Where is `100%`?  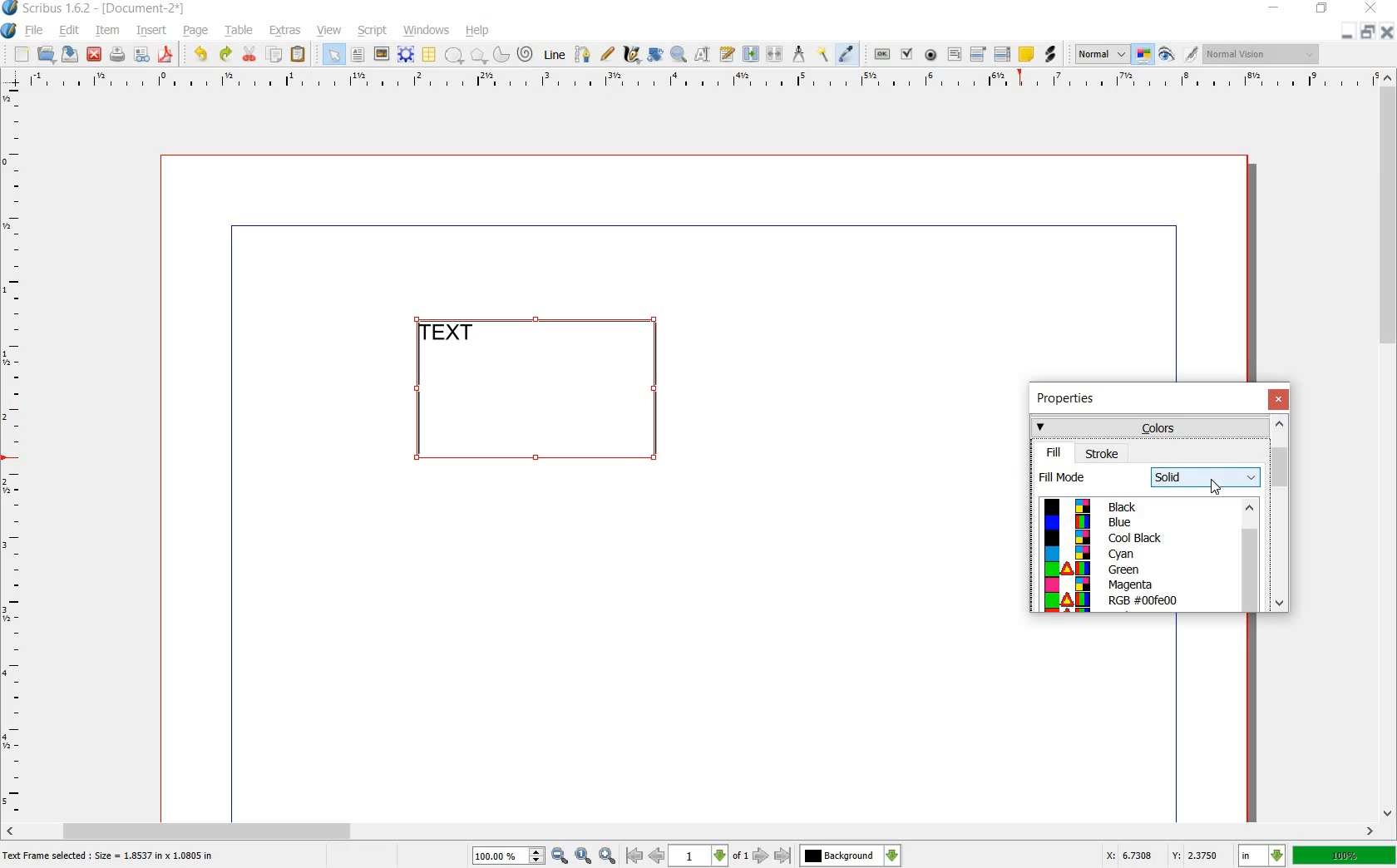
100% is located at coordinates (1345, 855).